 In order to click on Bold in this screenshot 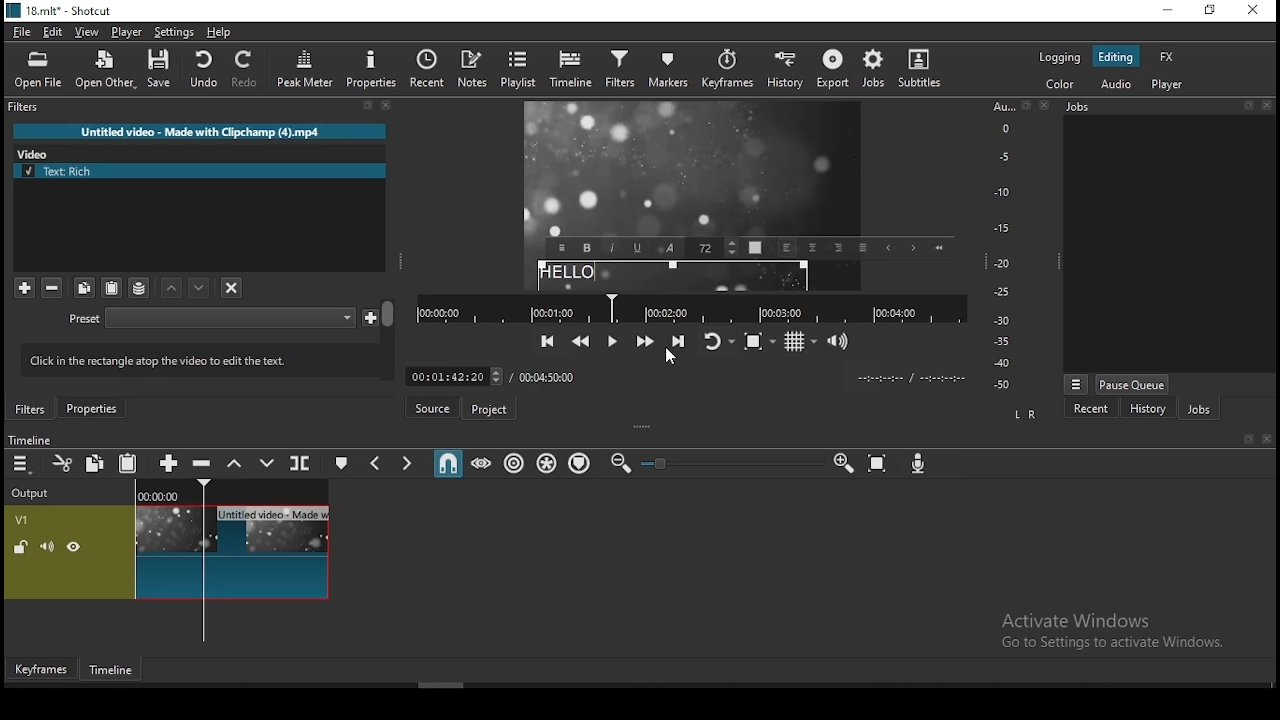, I will do `click(587, 248)`.